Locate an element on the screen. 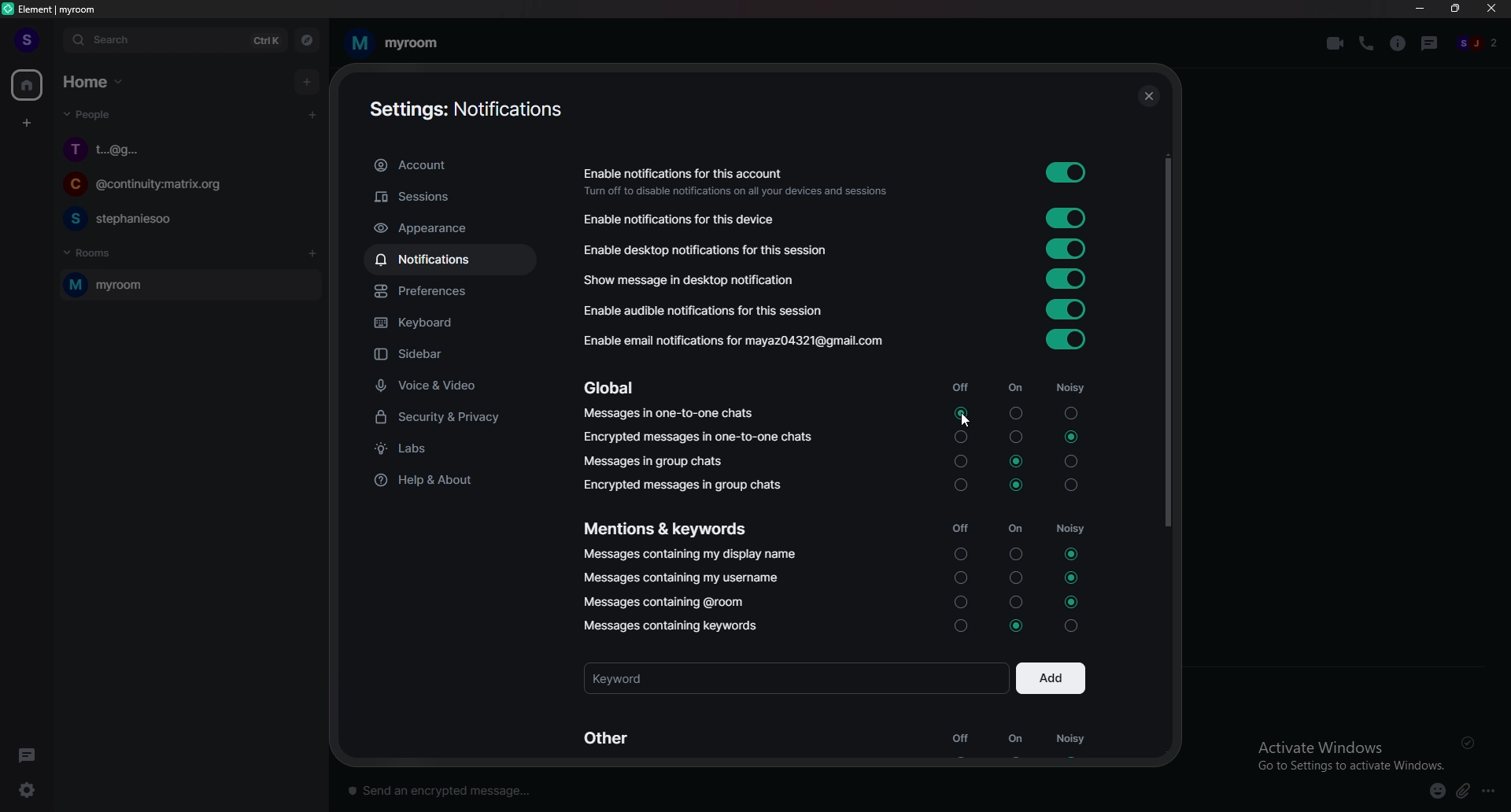 The image size is (1511, 812). sessions is located at coordinates (451, 197).